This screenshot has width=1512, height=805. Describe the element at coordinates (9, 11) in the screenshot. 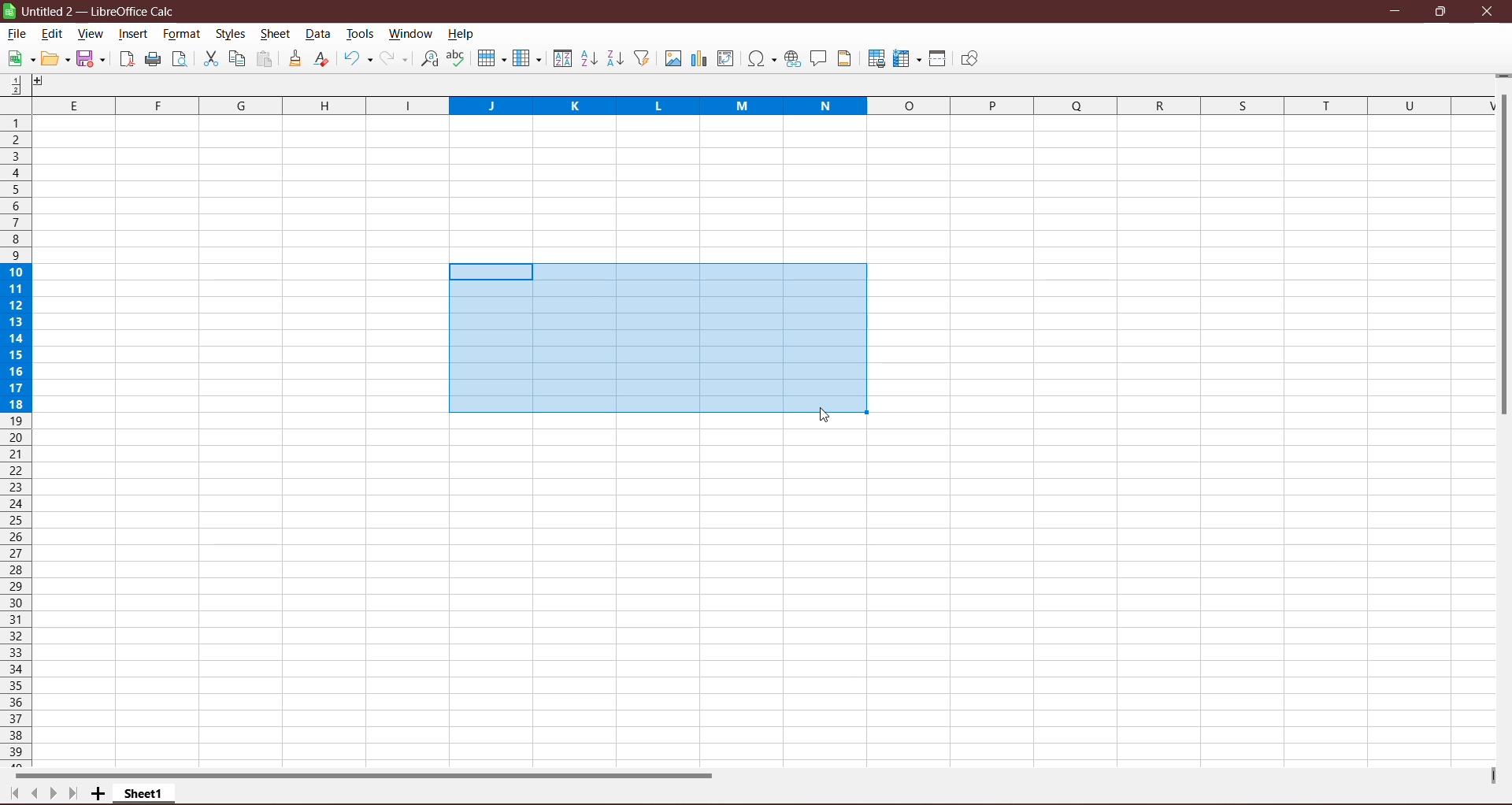

I see `Application Logo` at that location.